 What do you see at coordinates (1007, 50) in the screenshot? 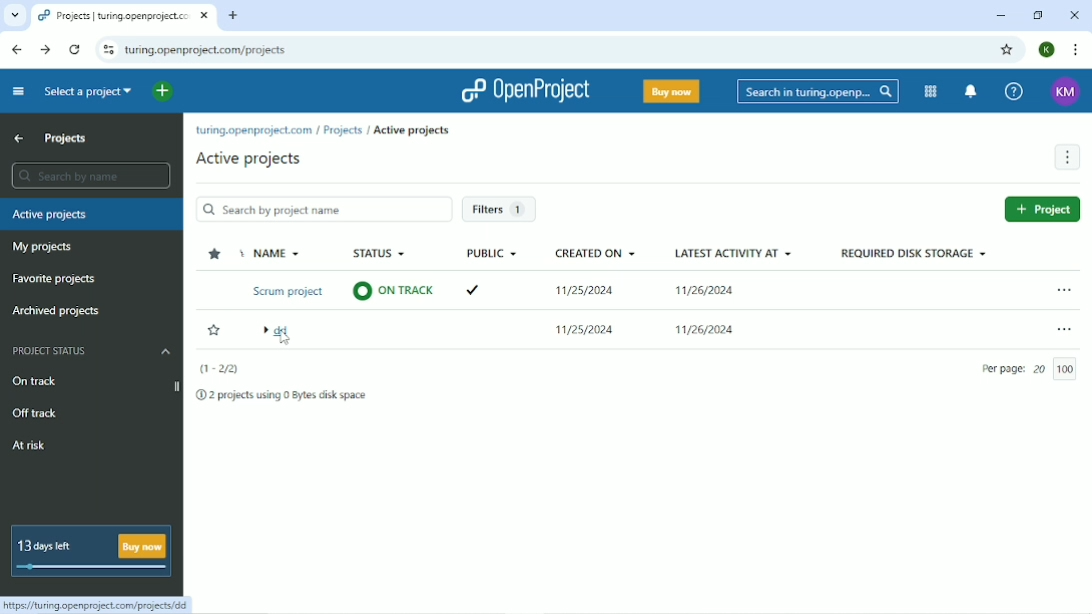
I see `Bookmark this tab` at bounding box center [1007, 50].